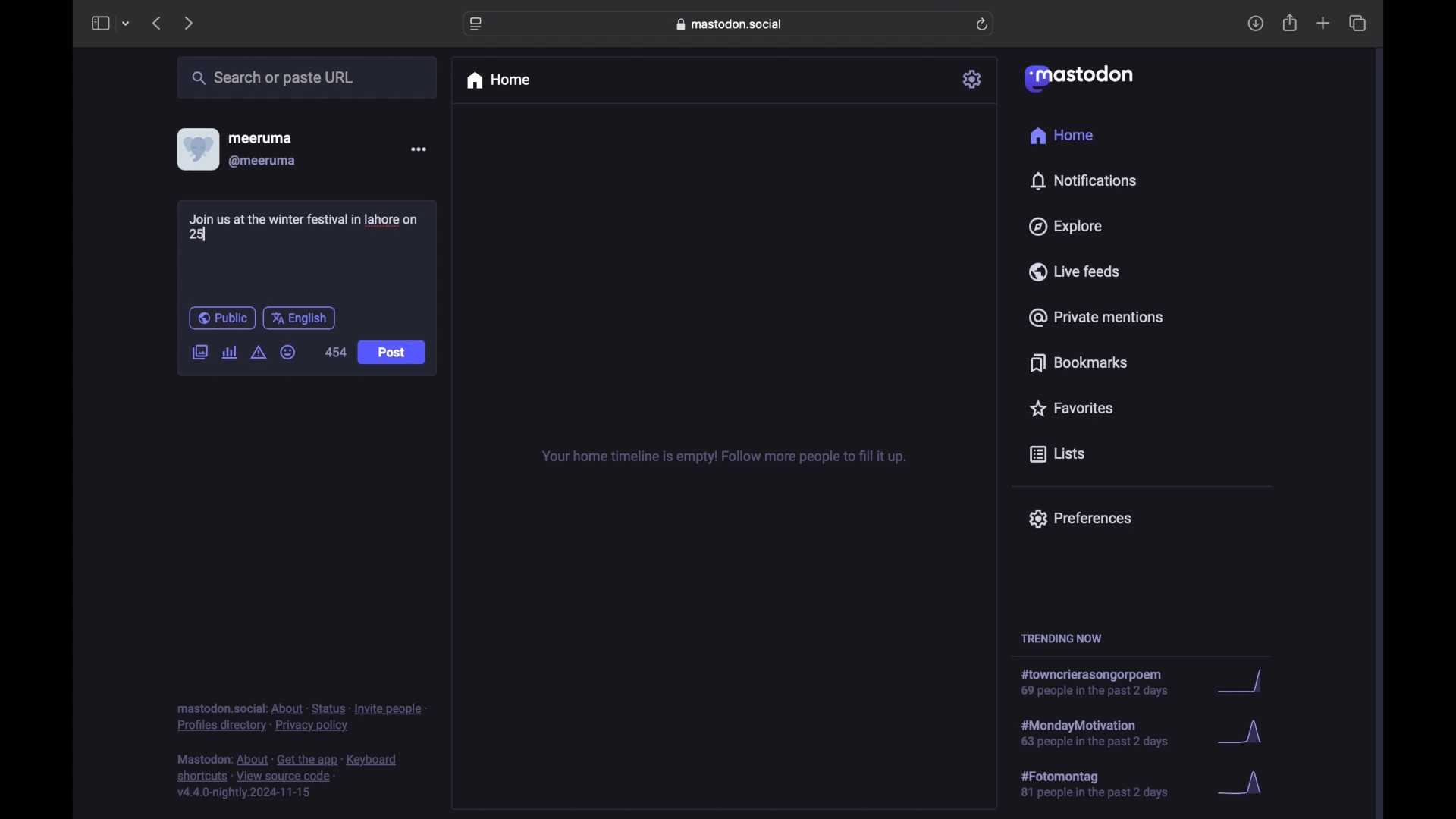  I want to click on Join us at the winter festival in lahore on 25, so click(303, 229).